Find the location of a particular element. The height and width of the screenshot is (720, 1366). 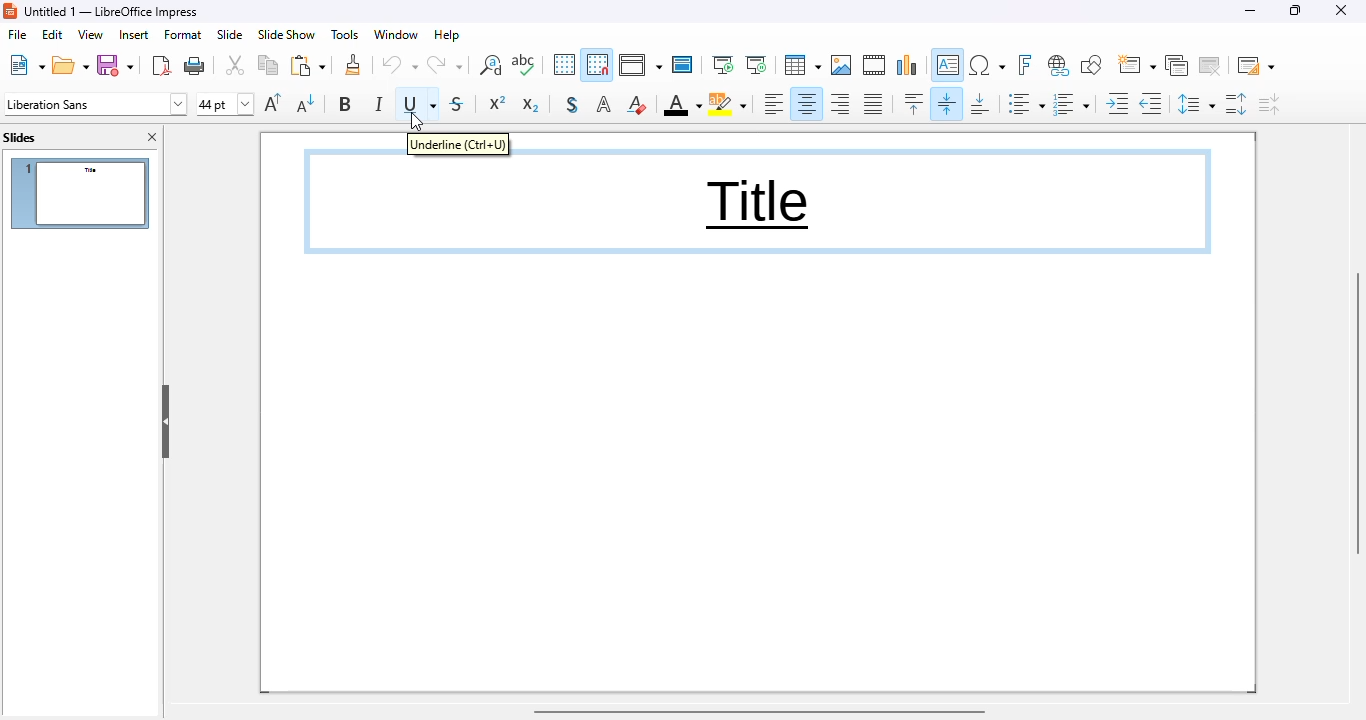

bold is located at coordinates (347, 104).